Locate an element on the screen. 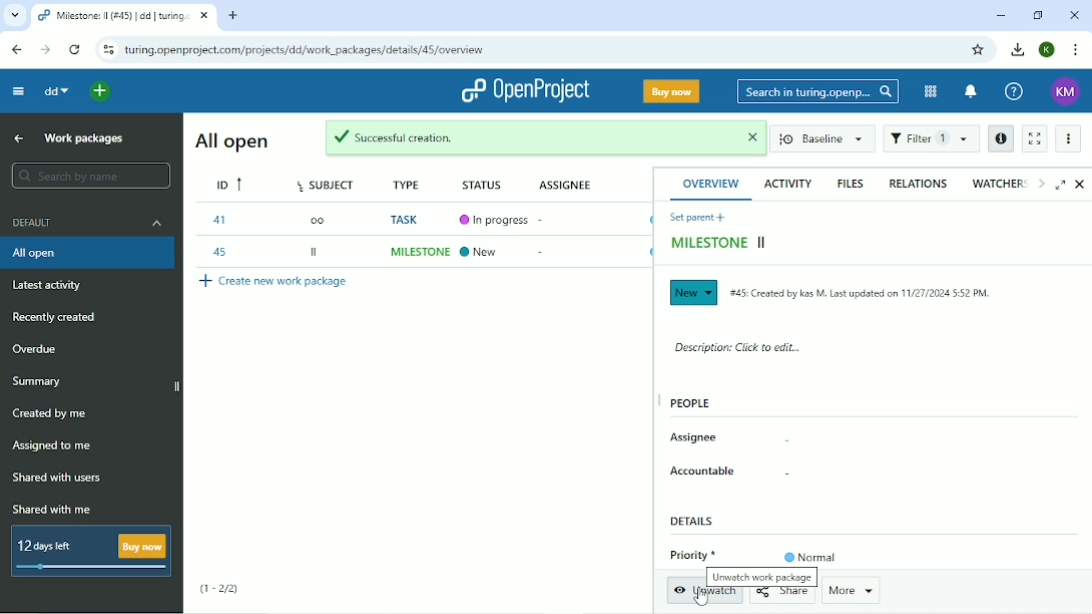  Downloads is located at coordinates (1018, 49).